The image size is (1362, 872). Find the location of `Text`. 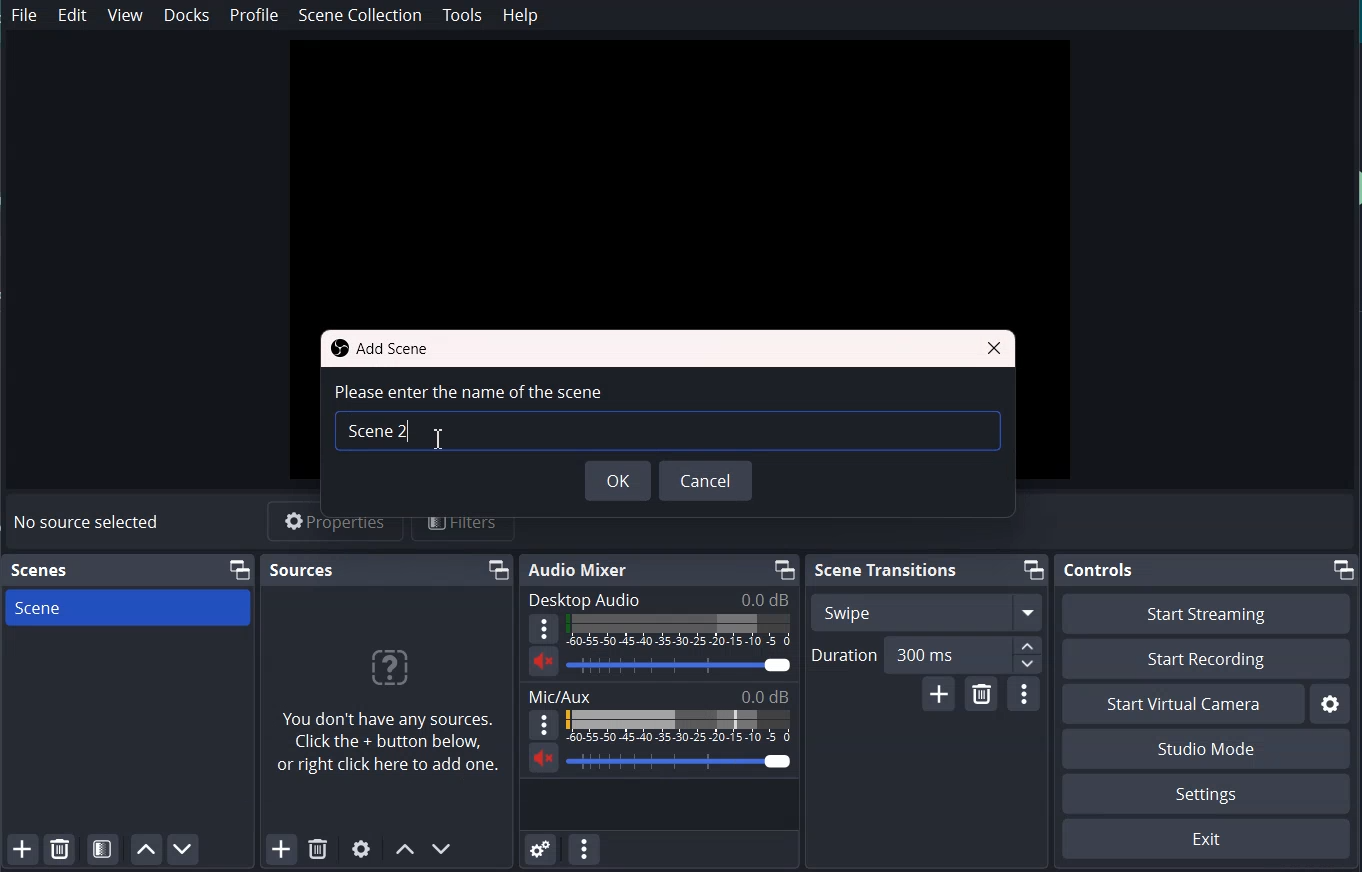

Text is located at coordinates (659, 599).